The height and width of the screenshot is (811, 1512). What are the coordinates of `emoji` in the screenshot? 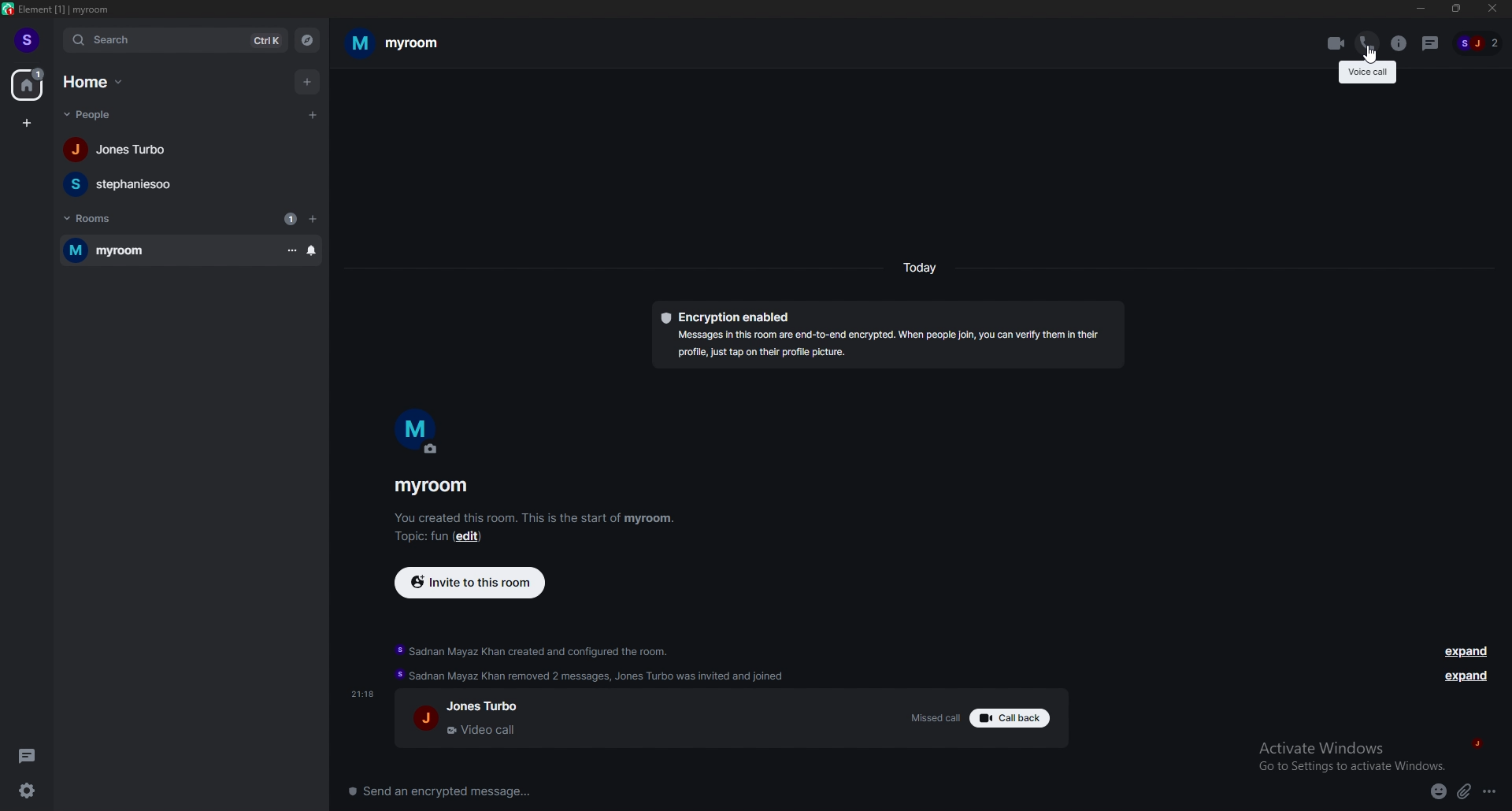 It's located at (1437, 791).